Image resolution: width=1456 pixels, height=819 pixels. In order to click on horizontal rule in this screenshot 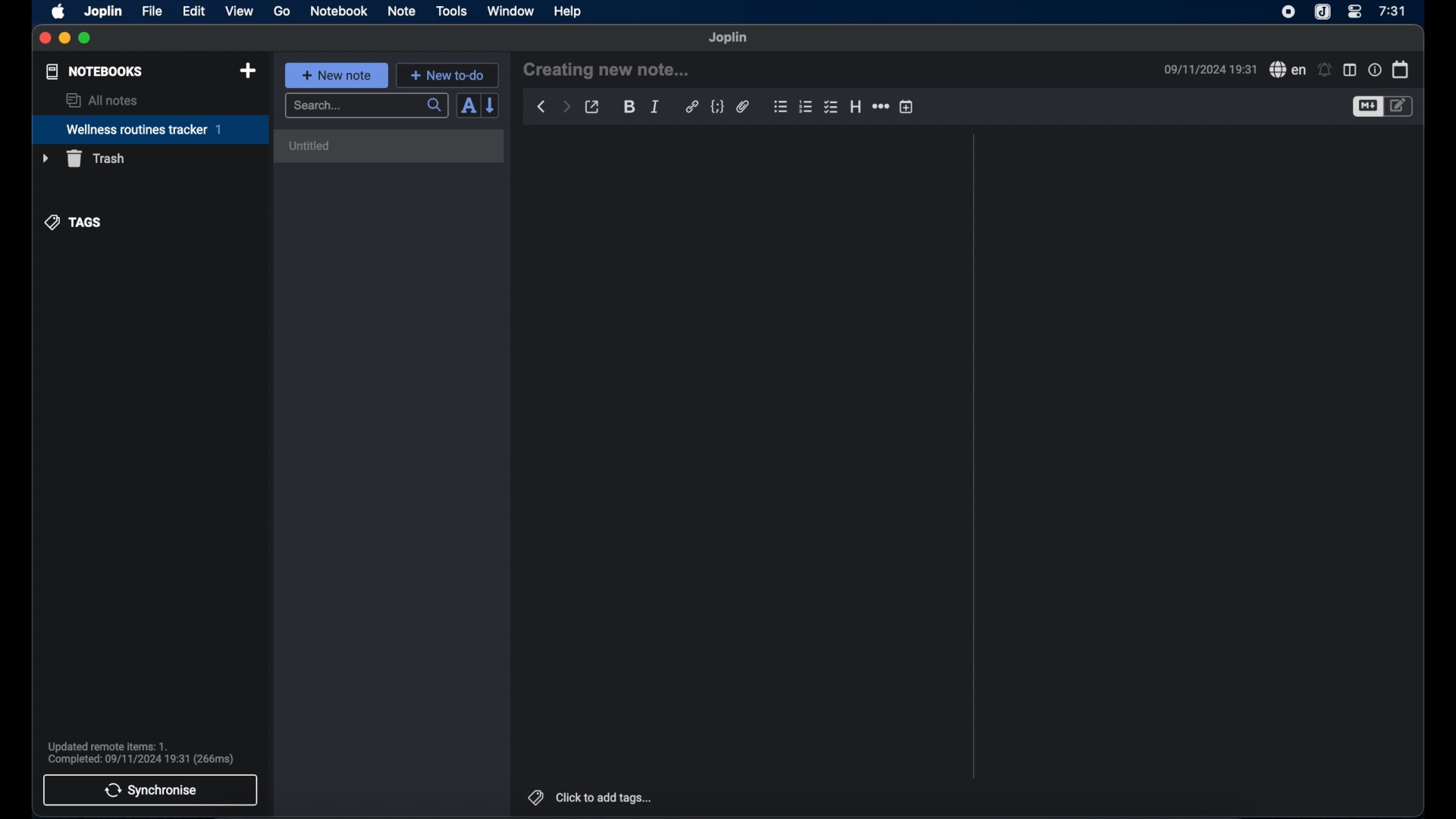, I will do `click(880, 106)`.